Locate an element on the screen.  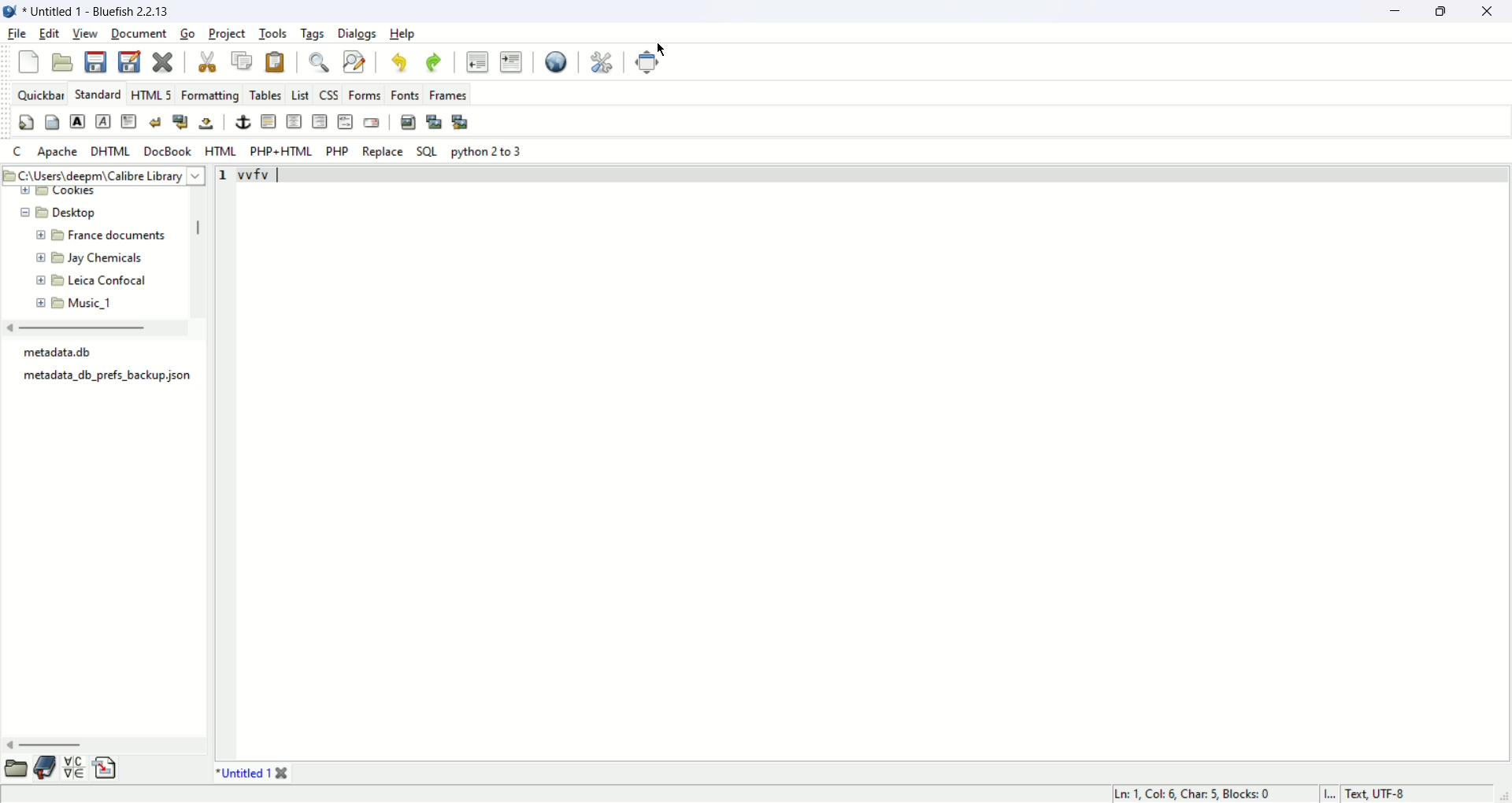
line number is located at coordinates (225, 174).